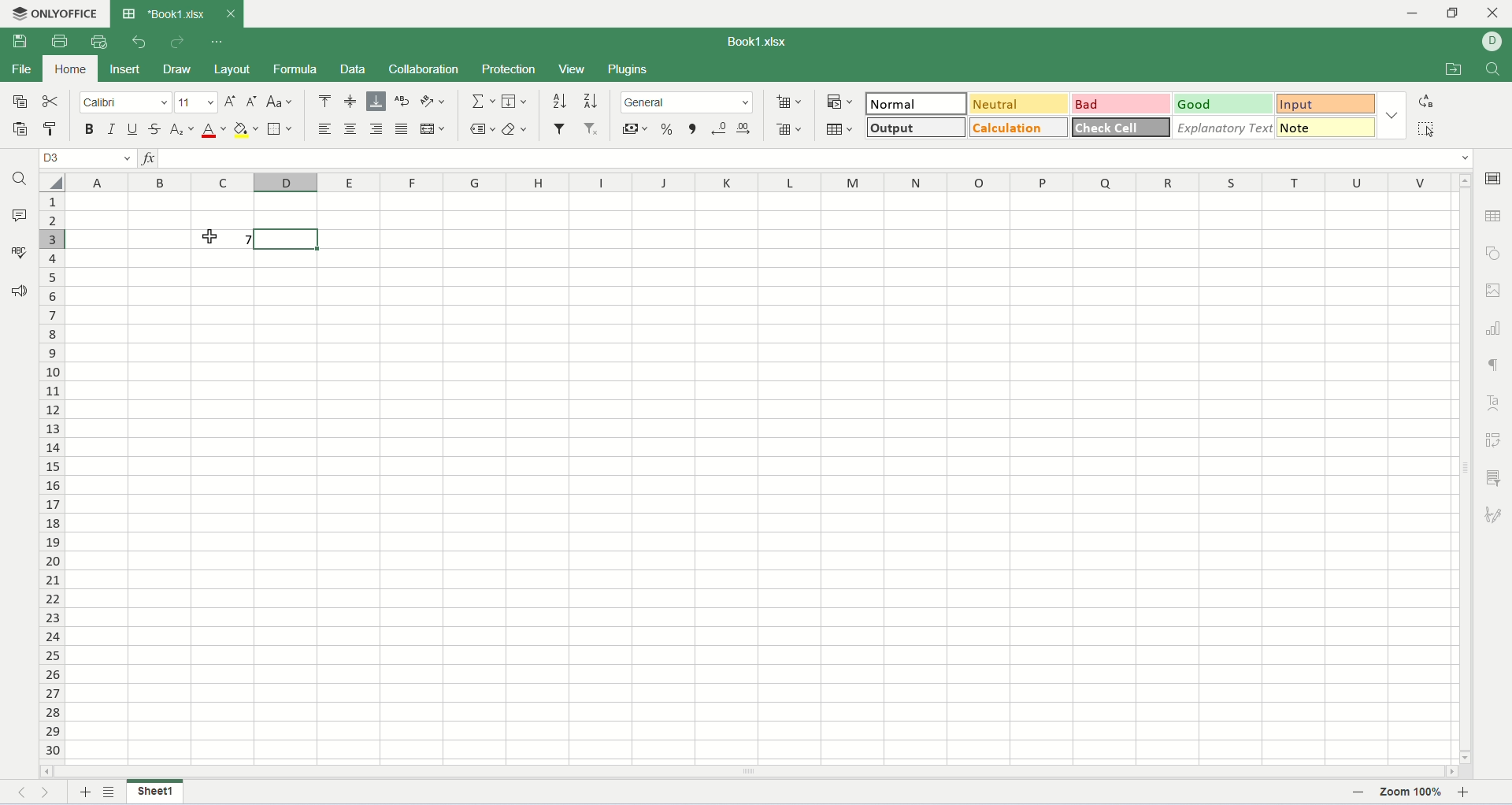  What do you see at coordinates (435, 100) in the screenshot?
I see `orientation` at bounding box center [435, 100].